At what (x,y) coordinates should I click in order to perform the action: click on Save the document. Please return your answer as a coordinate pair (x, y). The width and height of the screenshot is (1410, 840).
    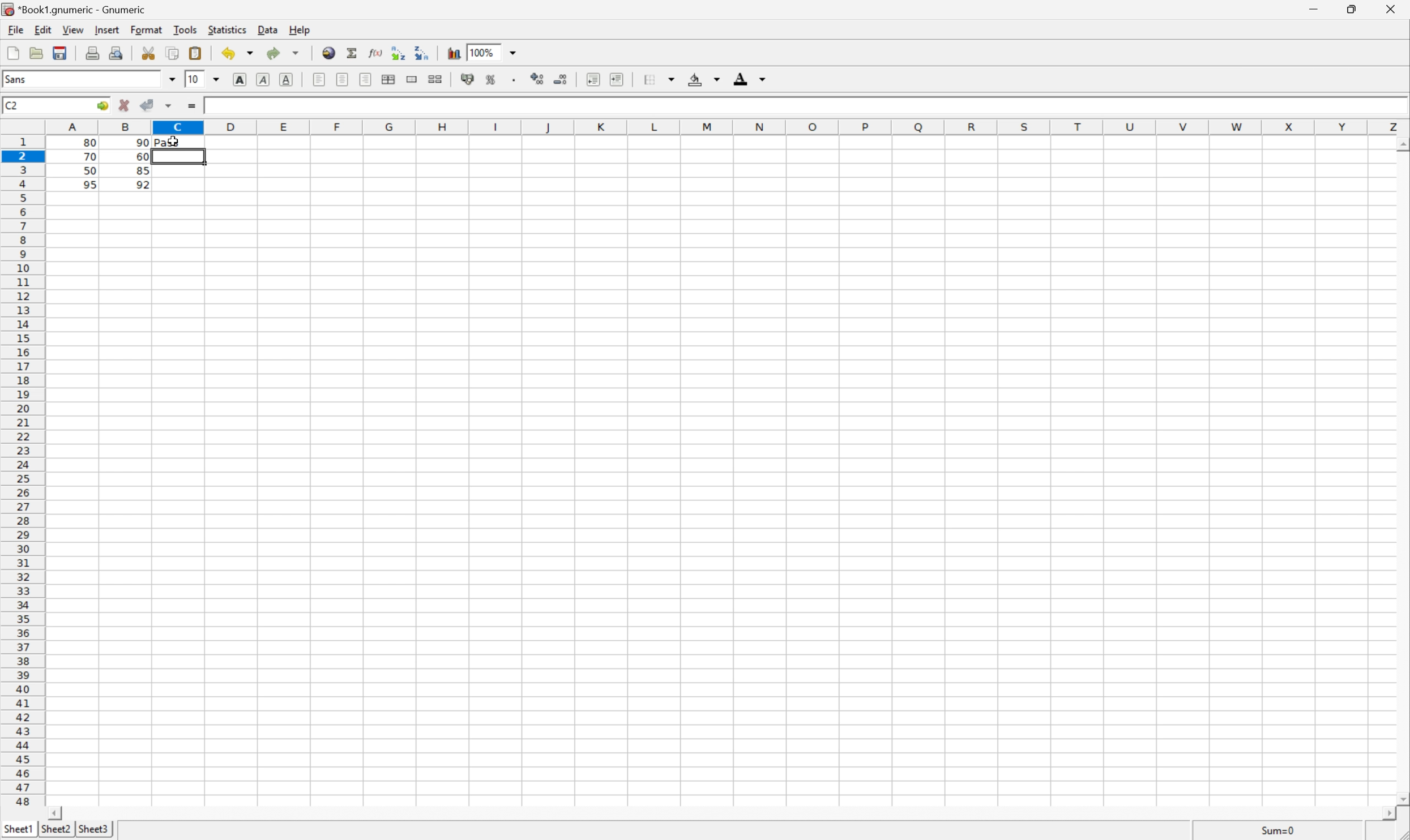
    Looking at the image, I should click on (36, 53).